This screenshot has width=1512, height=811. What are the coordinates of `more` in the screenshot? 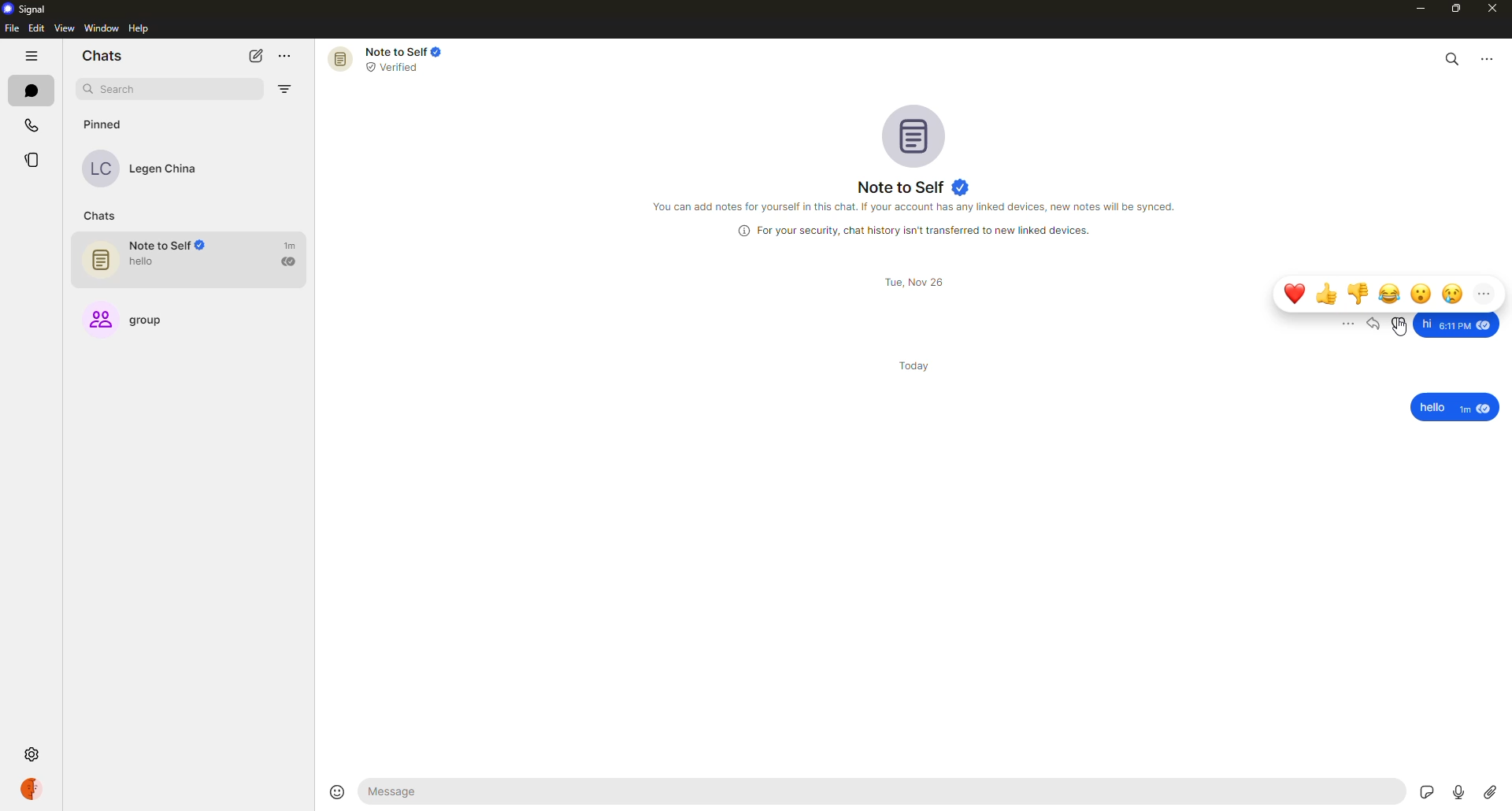 It's located at (1484, 293).